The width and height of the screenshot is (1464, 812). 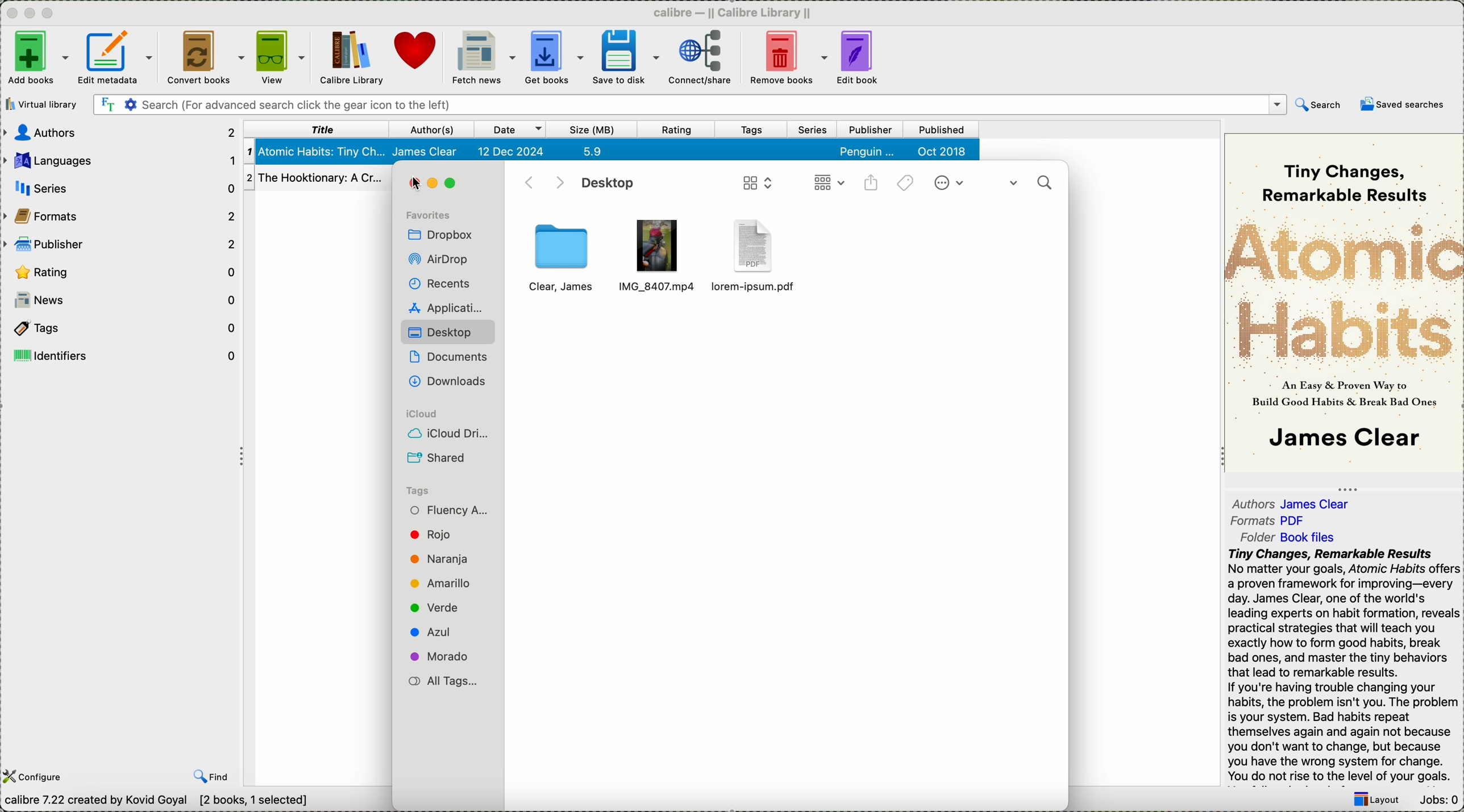 What do you see at coordinates (1295, 504) in the screenshot?
I see `authors` at bounding box center [1295, 504].